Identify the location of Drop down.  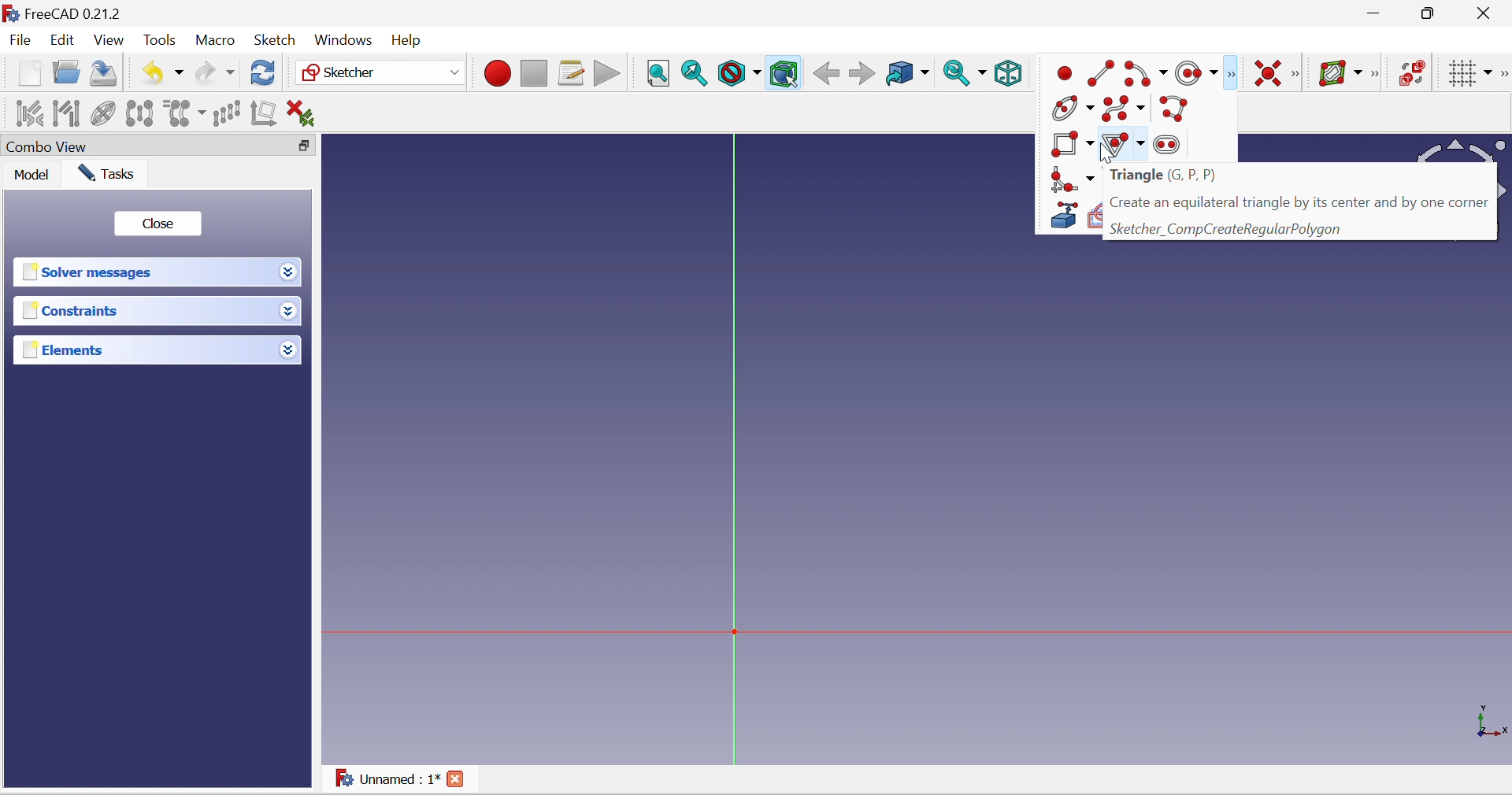
(288, 272).